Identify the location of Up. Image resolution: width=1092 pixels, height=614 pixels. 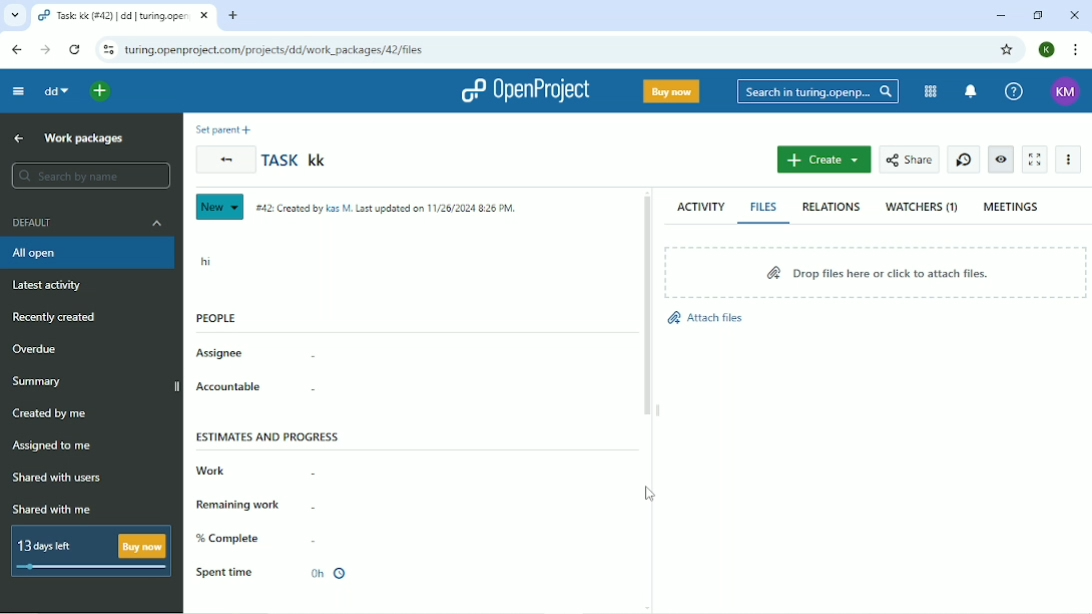
(19, 138).